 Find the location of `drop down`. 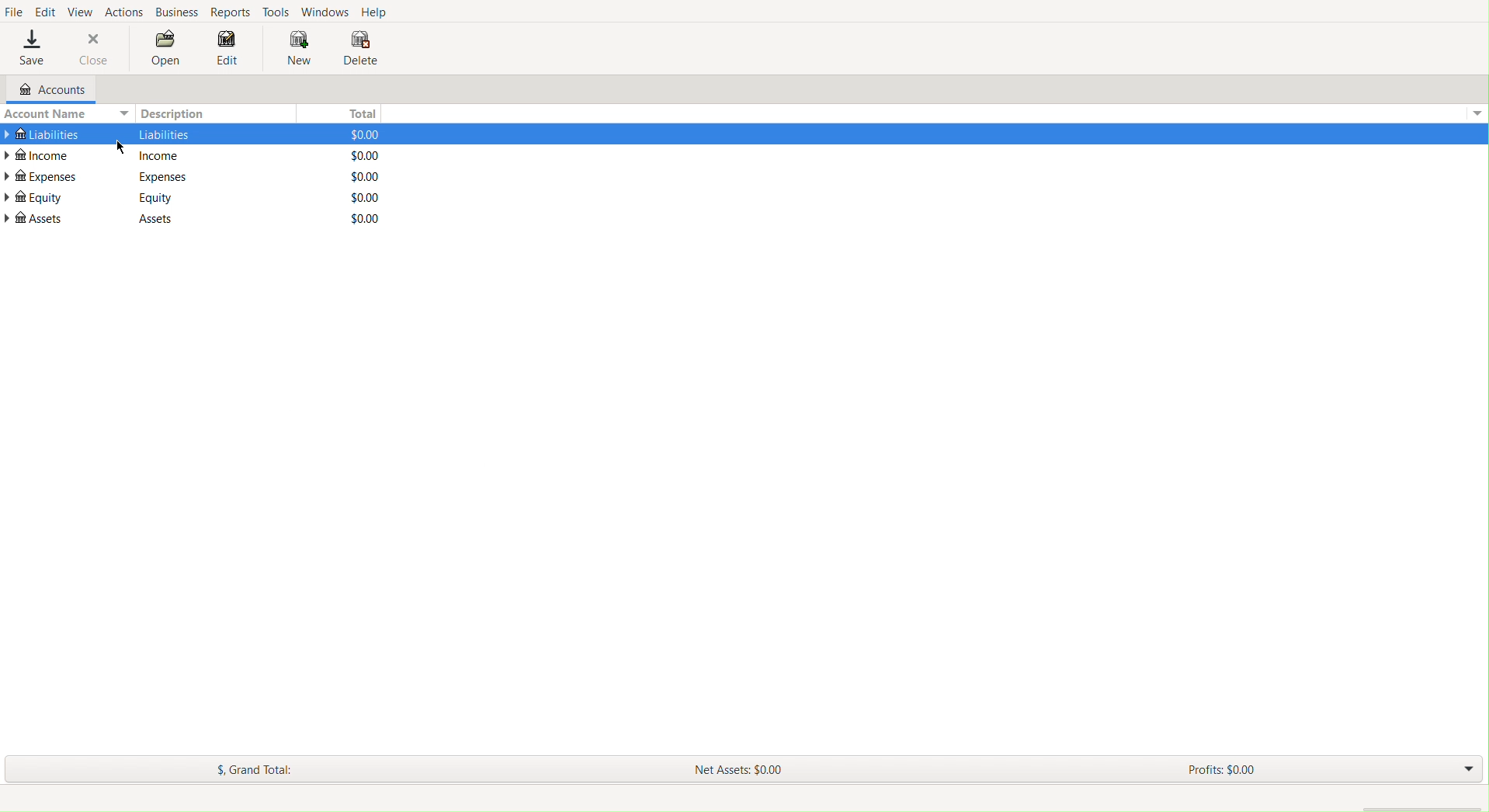

drop down is located at coordinates (1480, 116).